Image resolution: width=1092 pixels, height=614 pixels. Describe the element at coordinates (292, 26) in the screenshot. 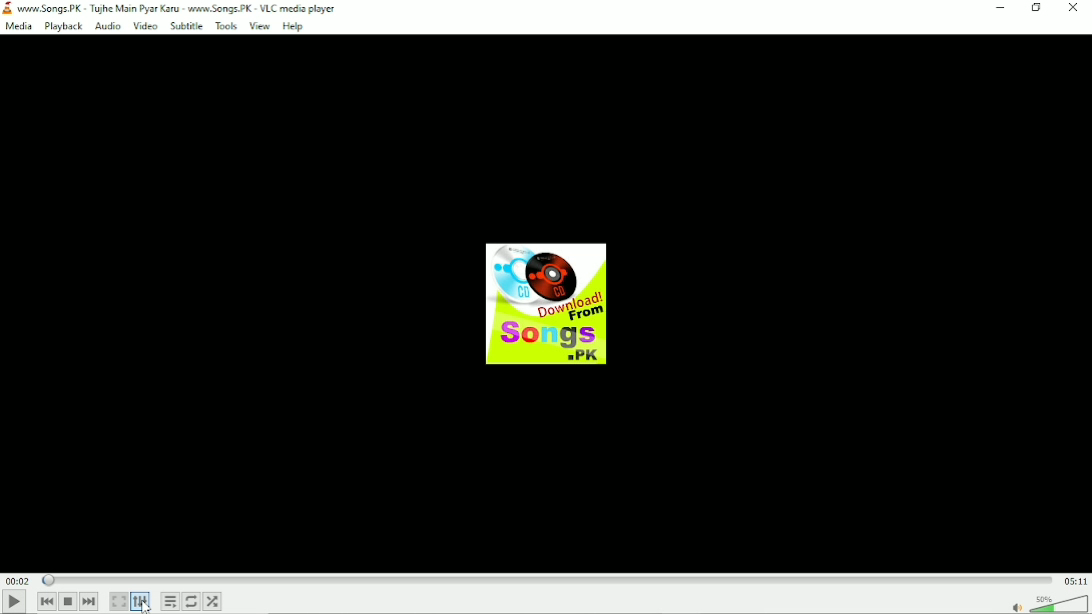

I see `Help` at that location.